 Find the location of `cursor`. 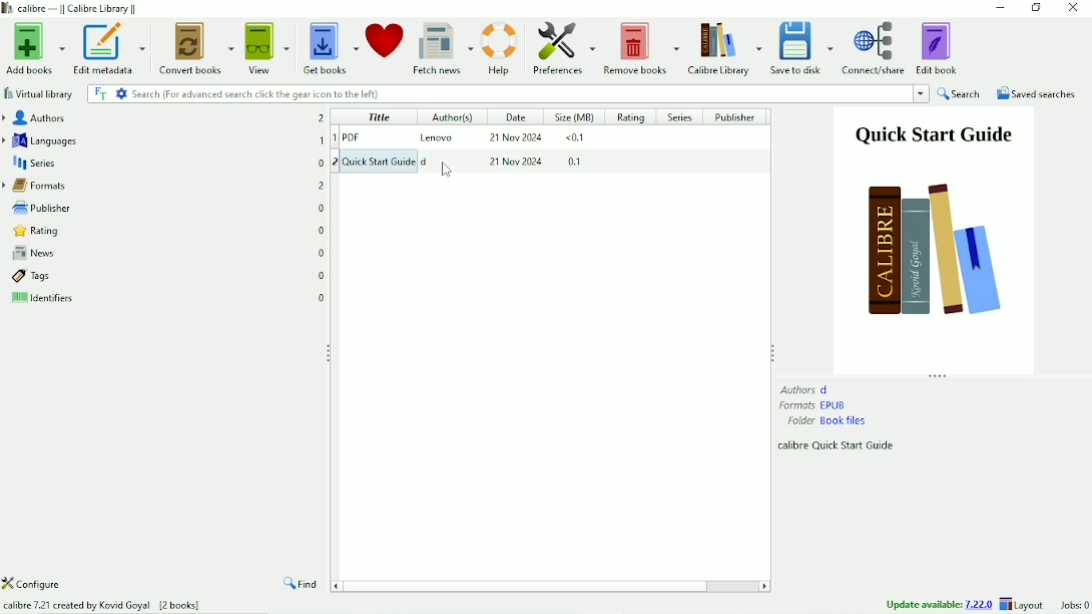

cursor is located at coordinates (444, 168).